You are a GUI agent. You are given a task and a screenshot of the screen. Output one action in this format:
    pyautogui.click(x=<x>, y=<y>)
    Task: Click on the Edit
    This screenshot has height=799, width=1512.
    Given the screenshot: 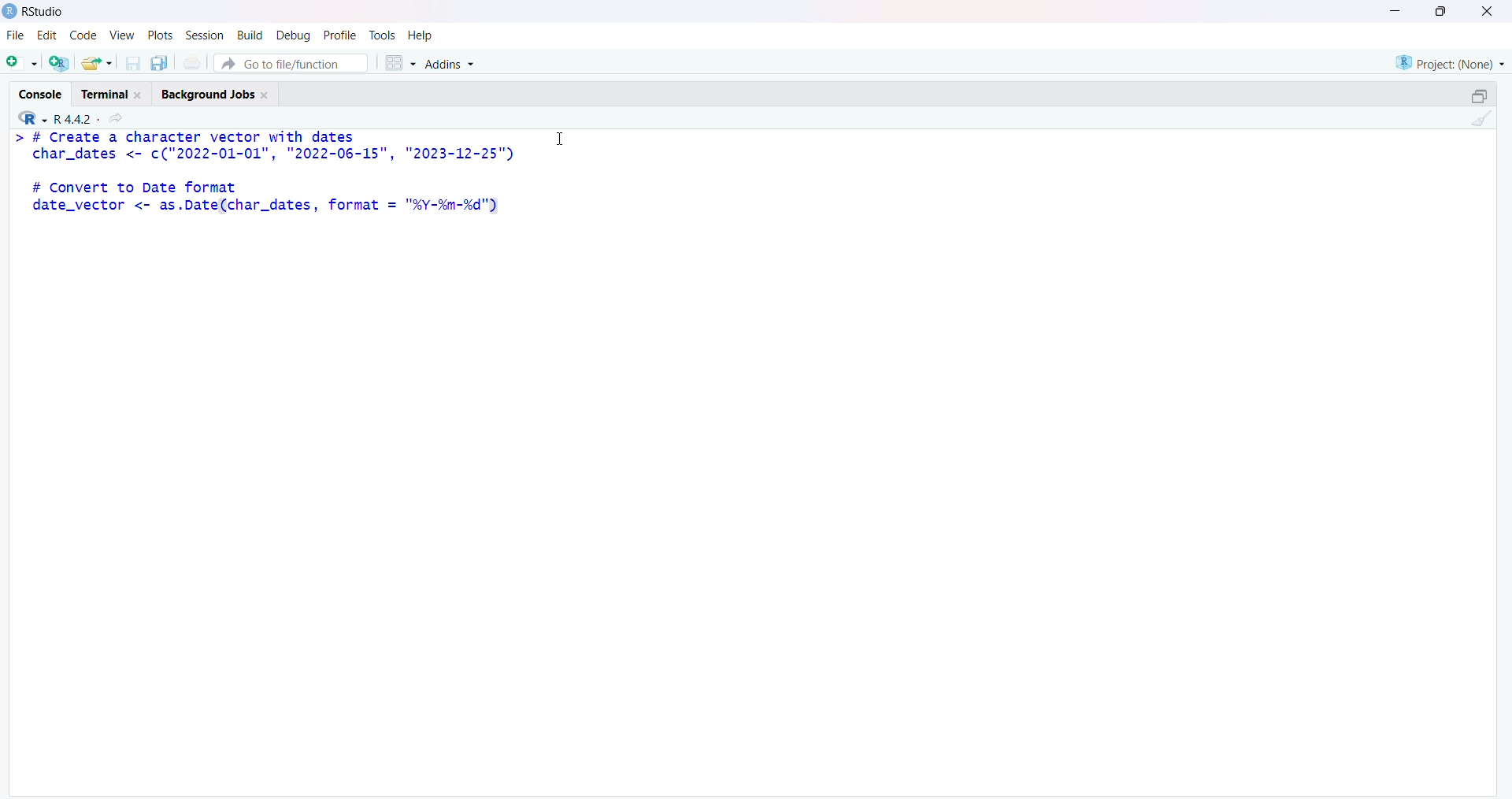 What is the action you would take?
    pyautogui.click(x=46, y=39)
    